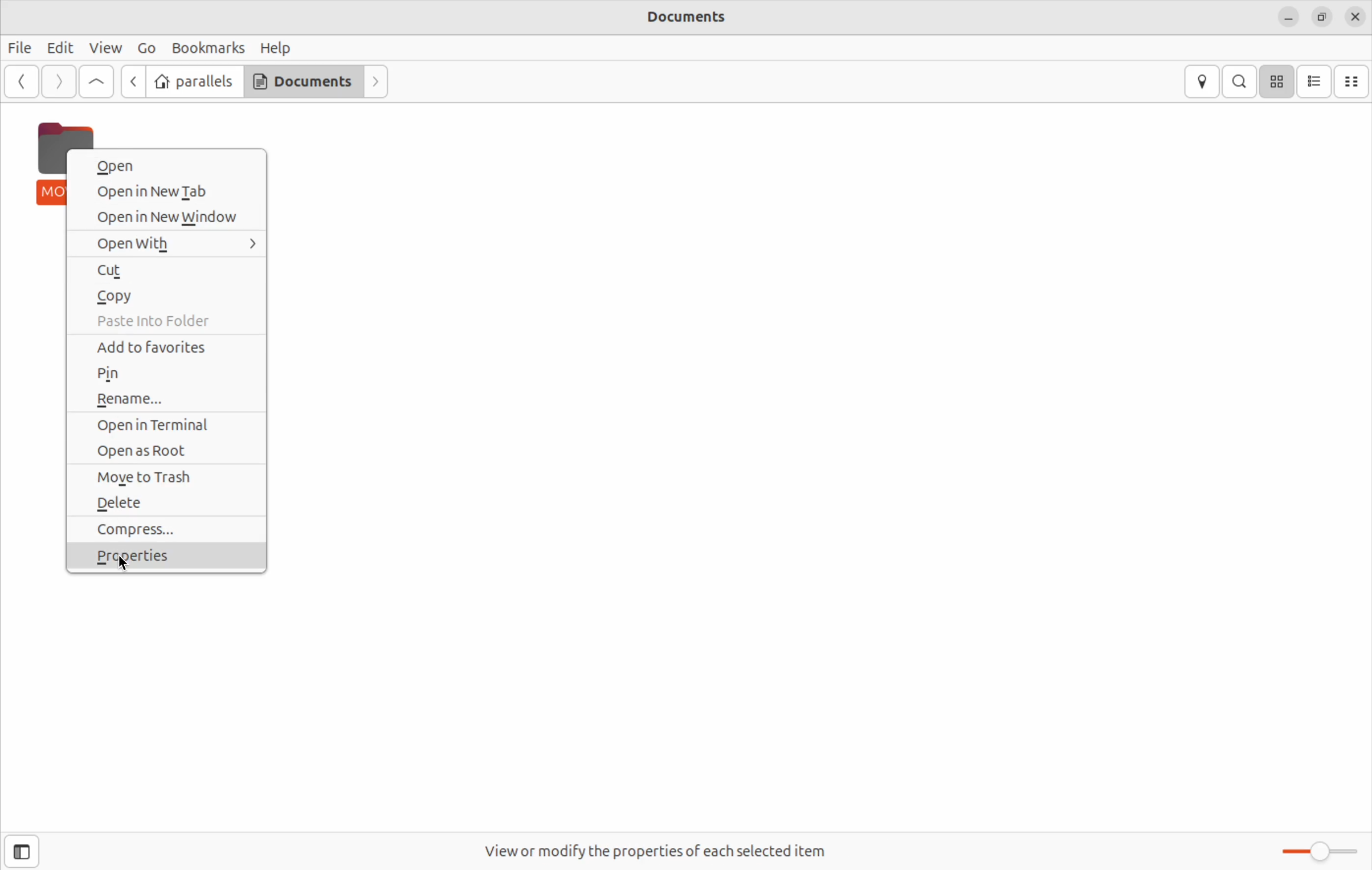 This screenshot has height=870, width=1372. I want to click on delete, so click(168, 503).